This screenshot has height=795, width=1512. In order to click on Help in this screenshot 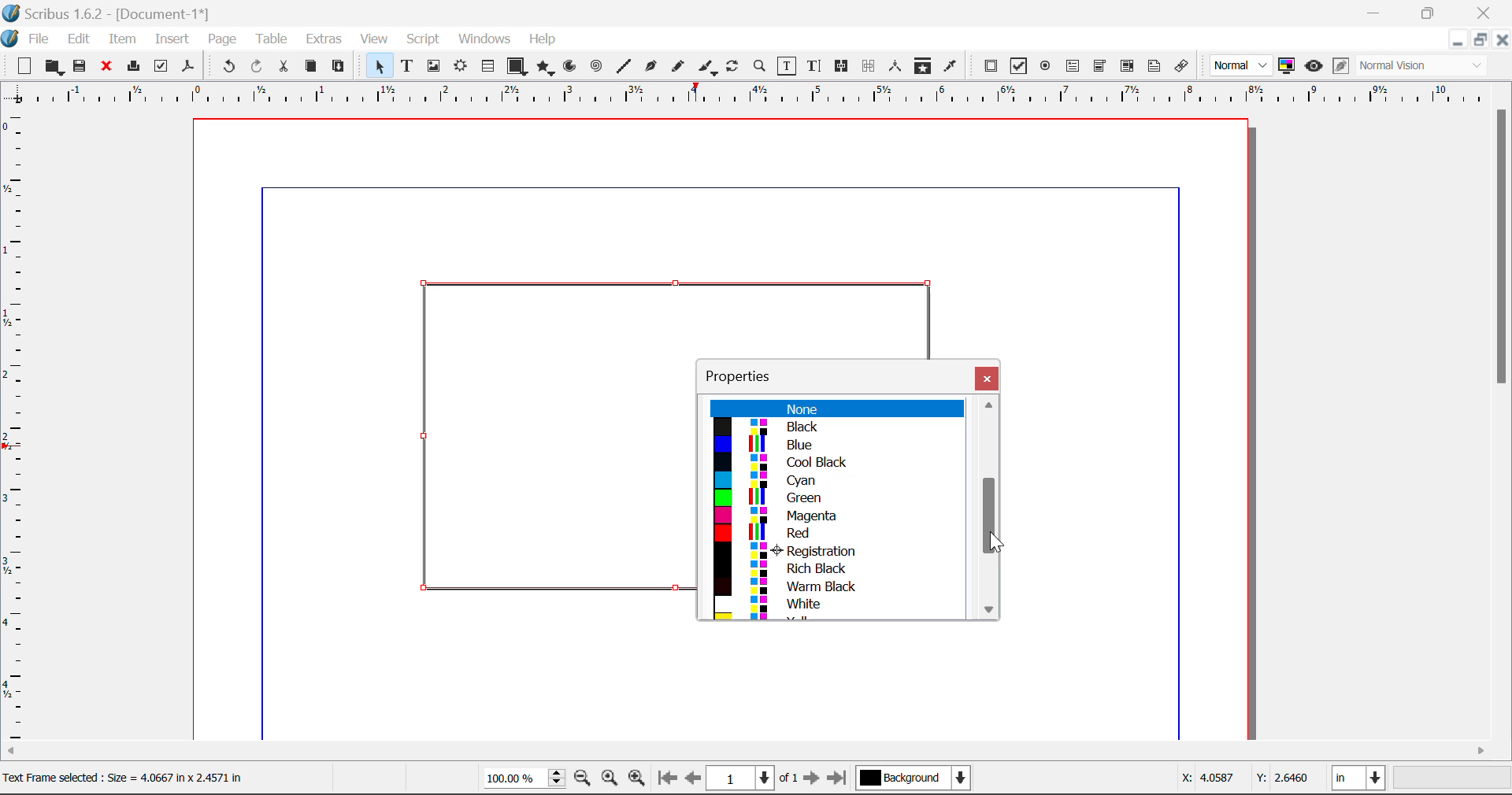, I will do `click(543, 39)`.